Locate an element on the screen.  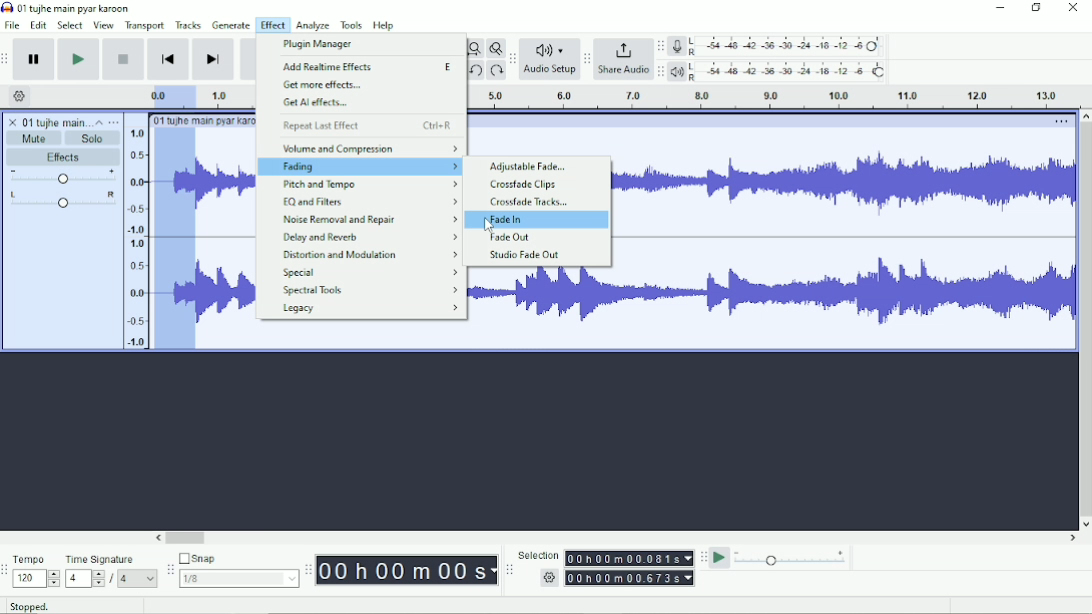
Effect is located at coordinates (272, 24).